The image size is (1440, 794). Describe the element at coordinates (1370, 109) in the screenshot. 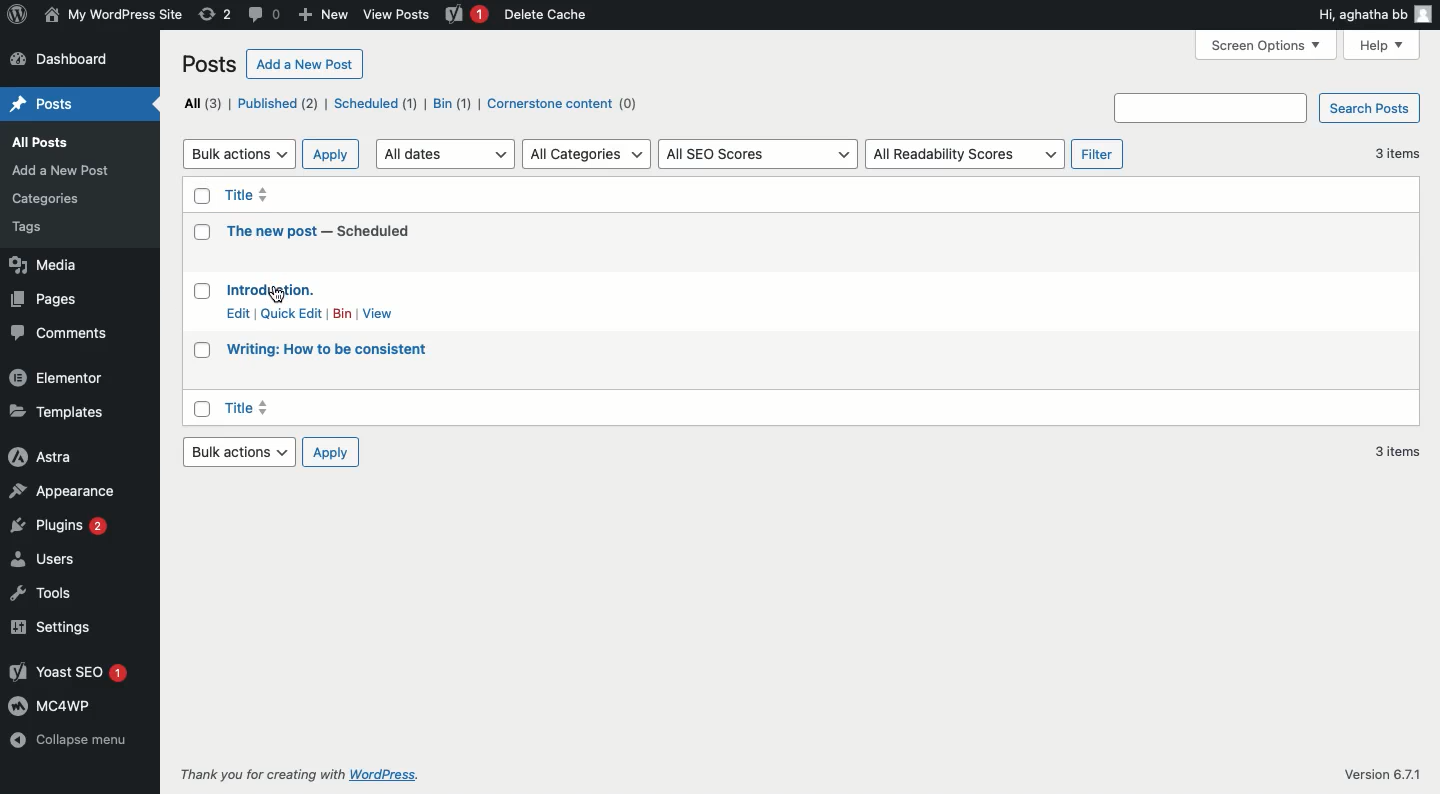

I see `Search Posts` at that location.